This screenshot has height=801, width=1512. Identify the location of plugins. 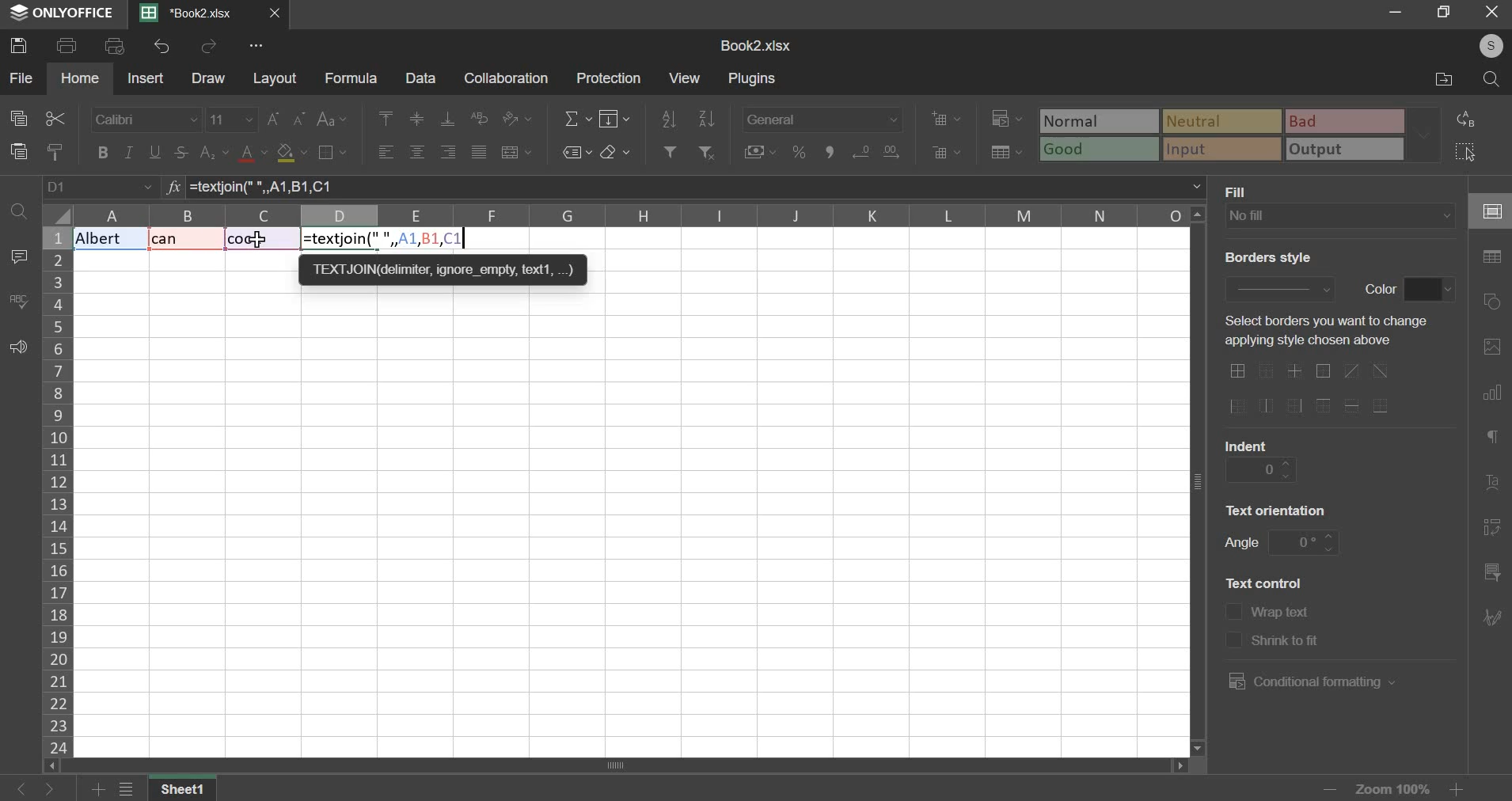
(754, 79).